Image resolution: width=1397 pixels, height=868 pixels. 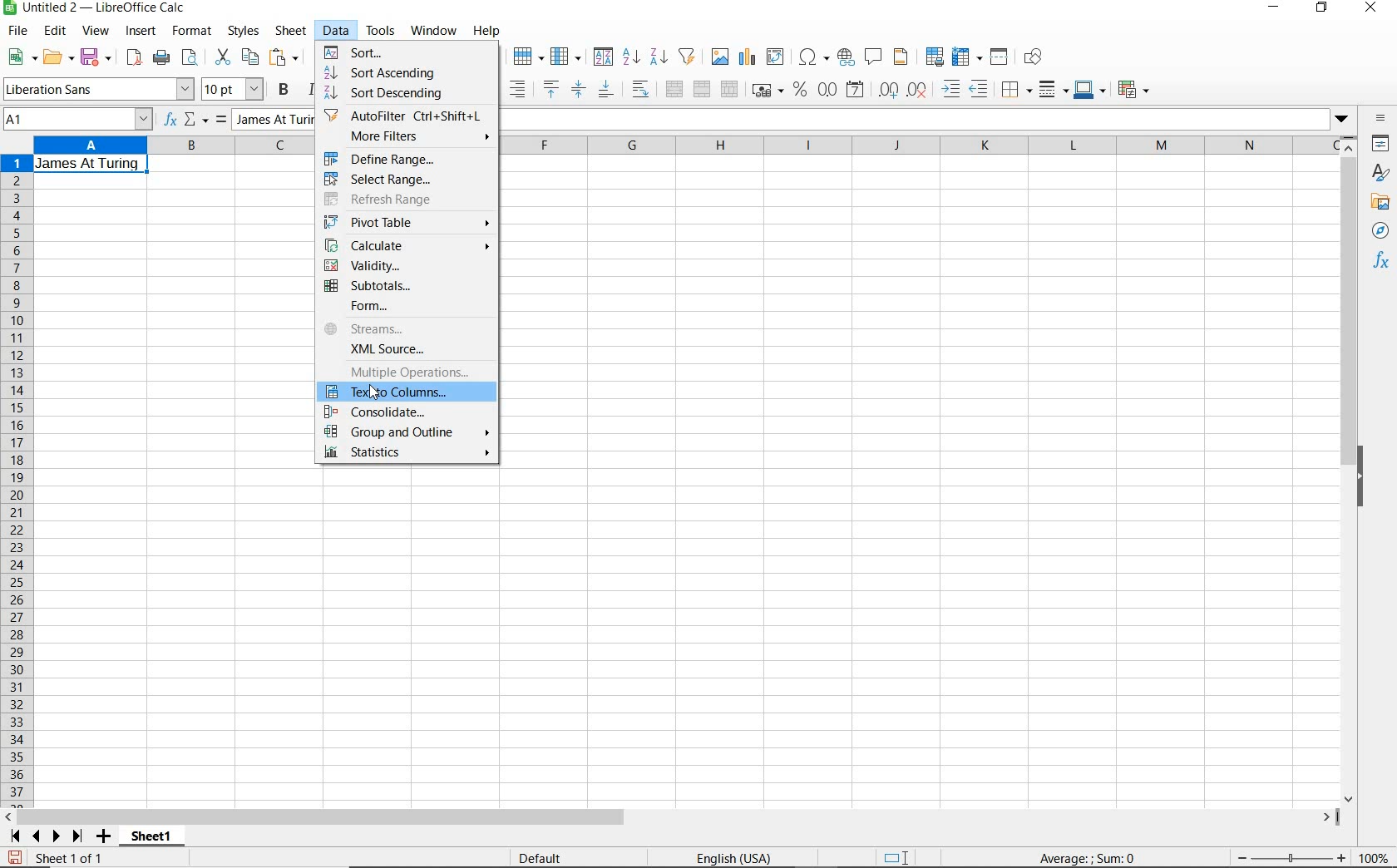 I want to click on add sheet, so click(x=101, y=837).